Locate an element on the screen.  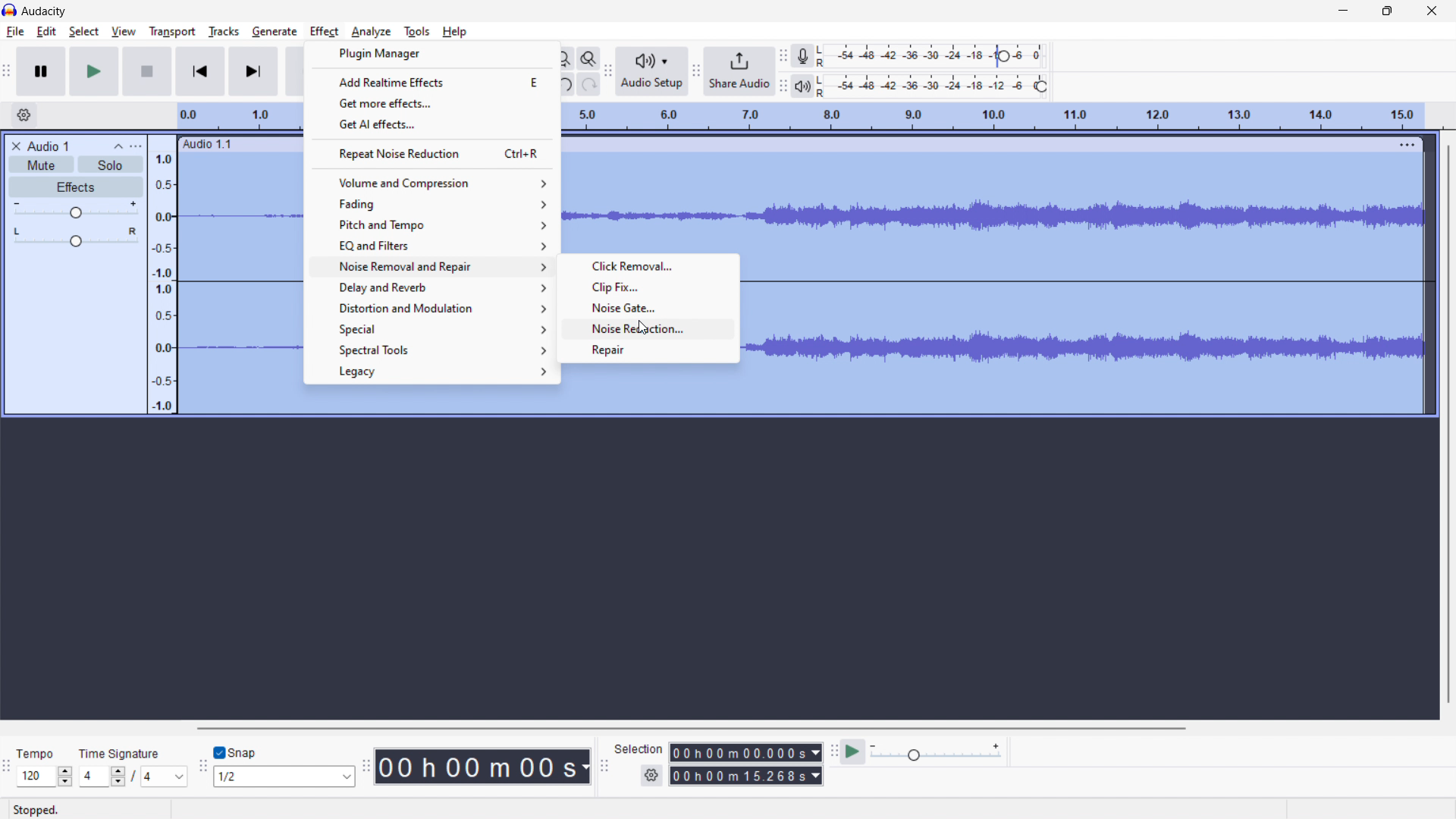
play at speed is located at coordinates (852, 752).